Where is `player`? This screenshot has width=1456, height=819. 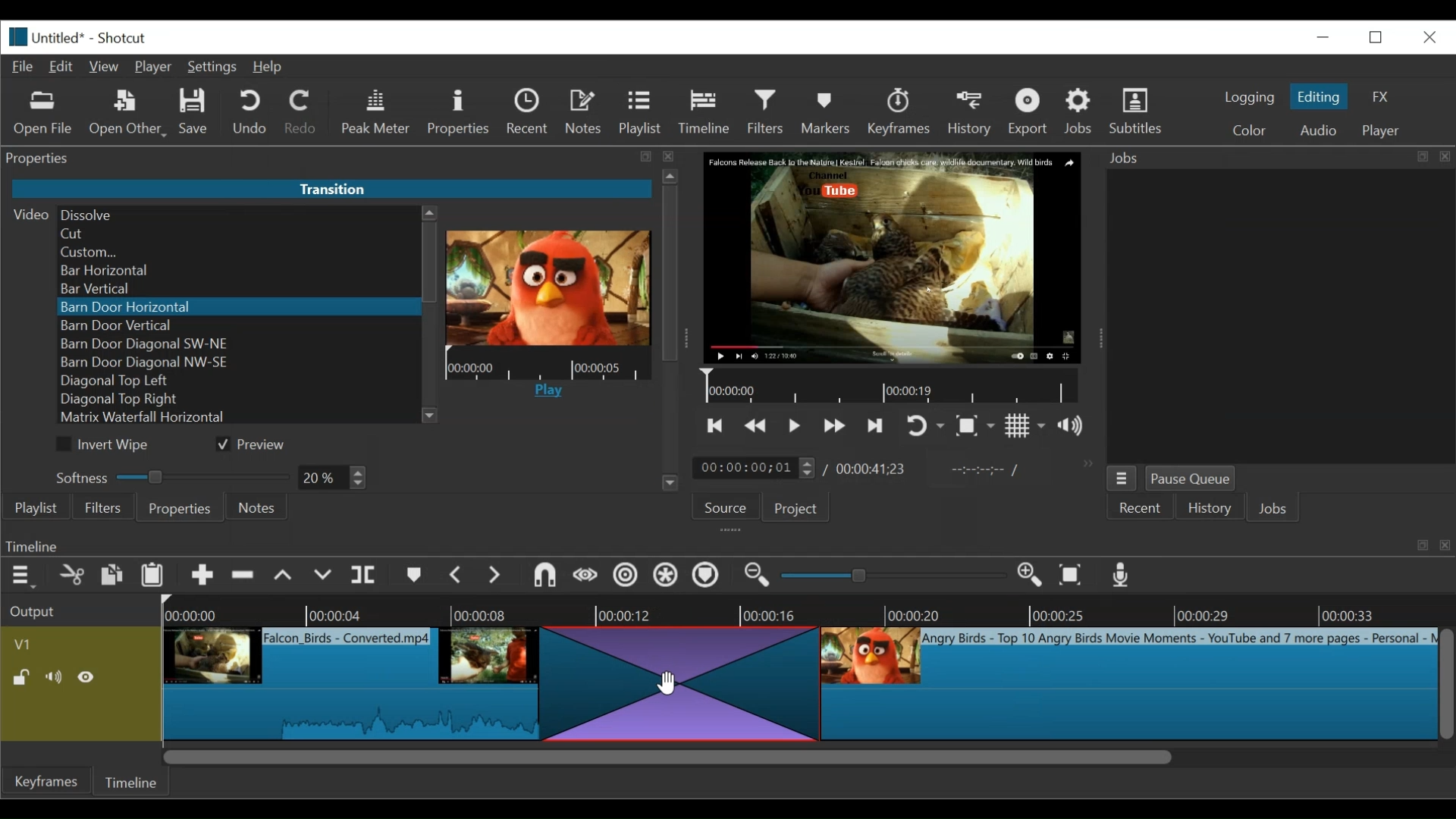 player is located at coordinates (1382, 130).